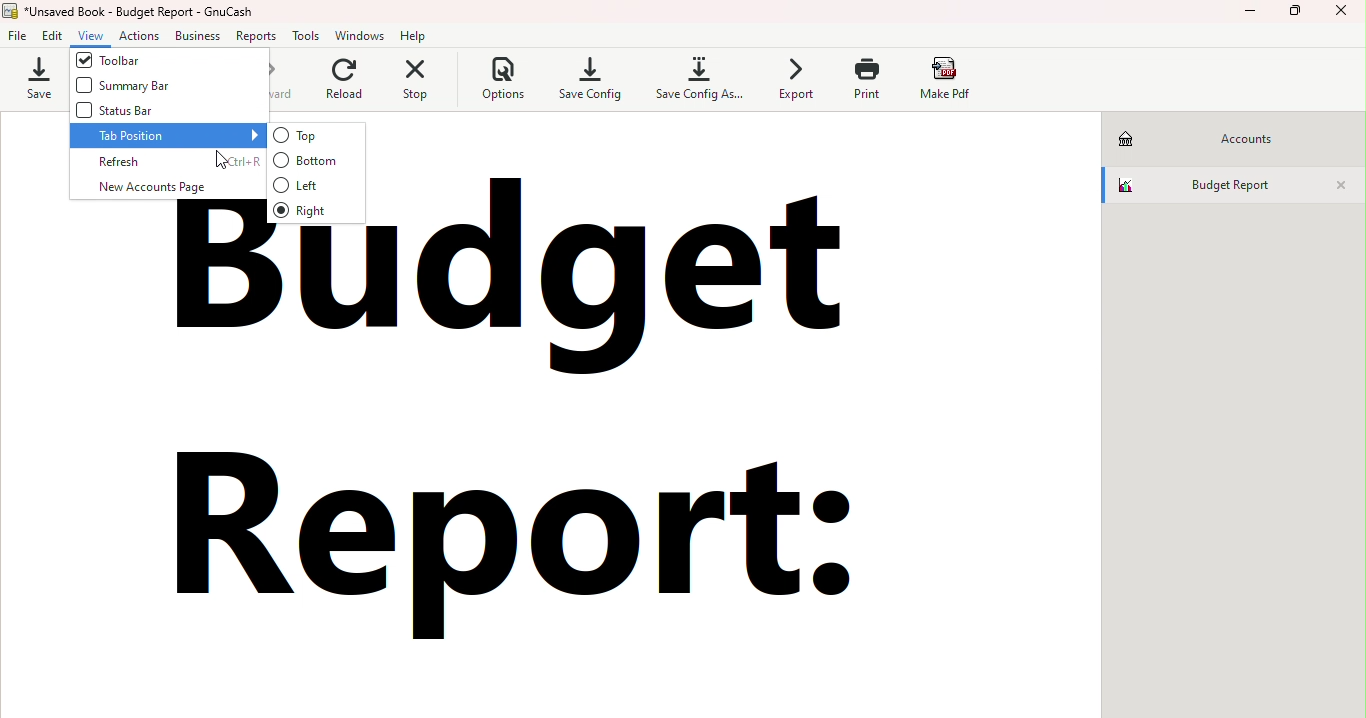  Describe the element at coordinates (308, 36) in the screenshot. I see `Tools` at that location.